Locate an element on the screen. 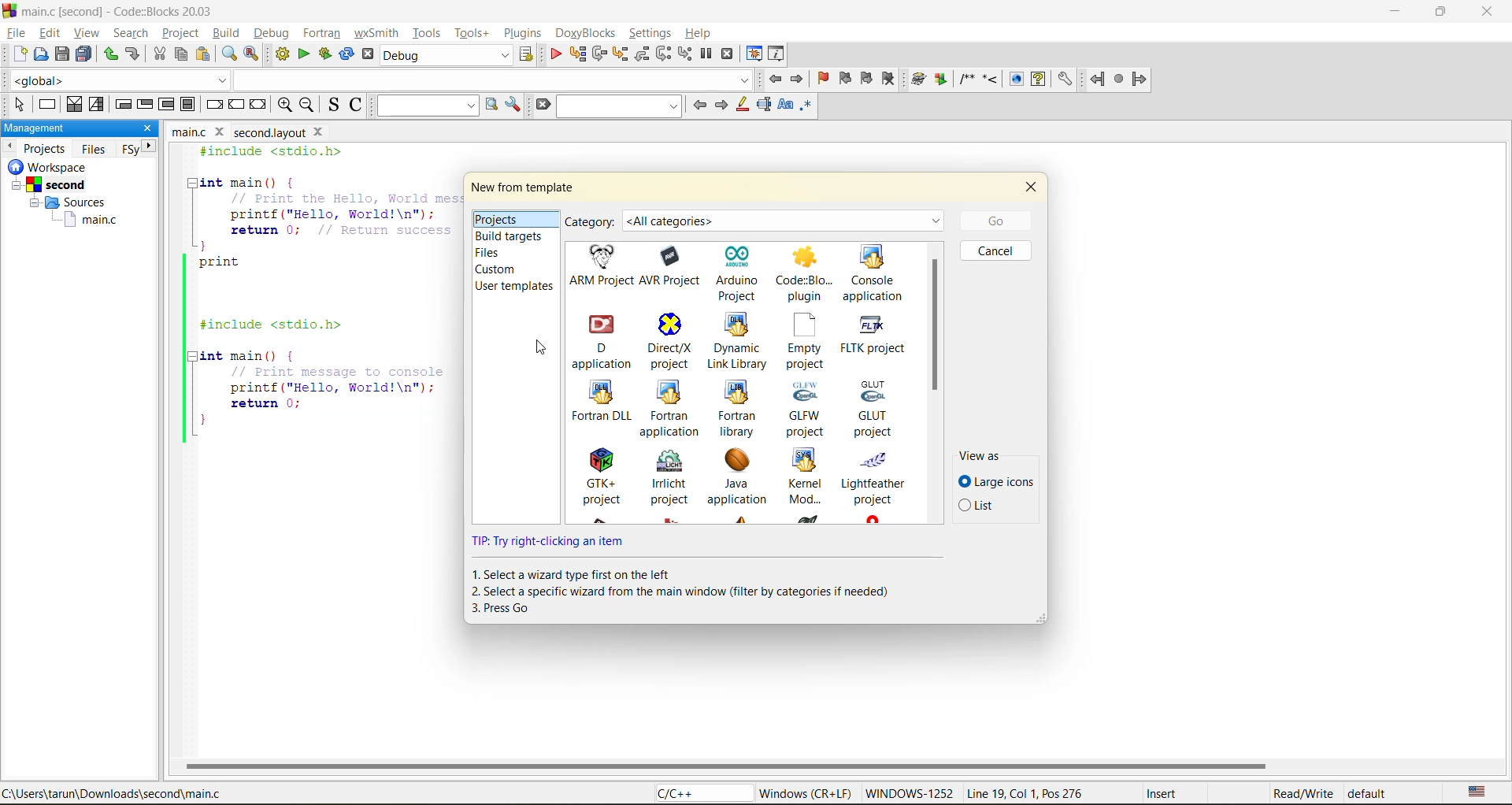 The image size is (1512, 805). return instruction is located at coordinates (261, 106).